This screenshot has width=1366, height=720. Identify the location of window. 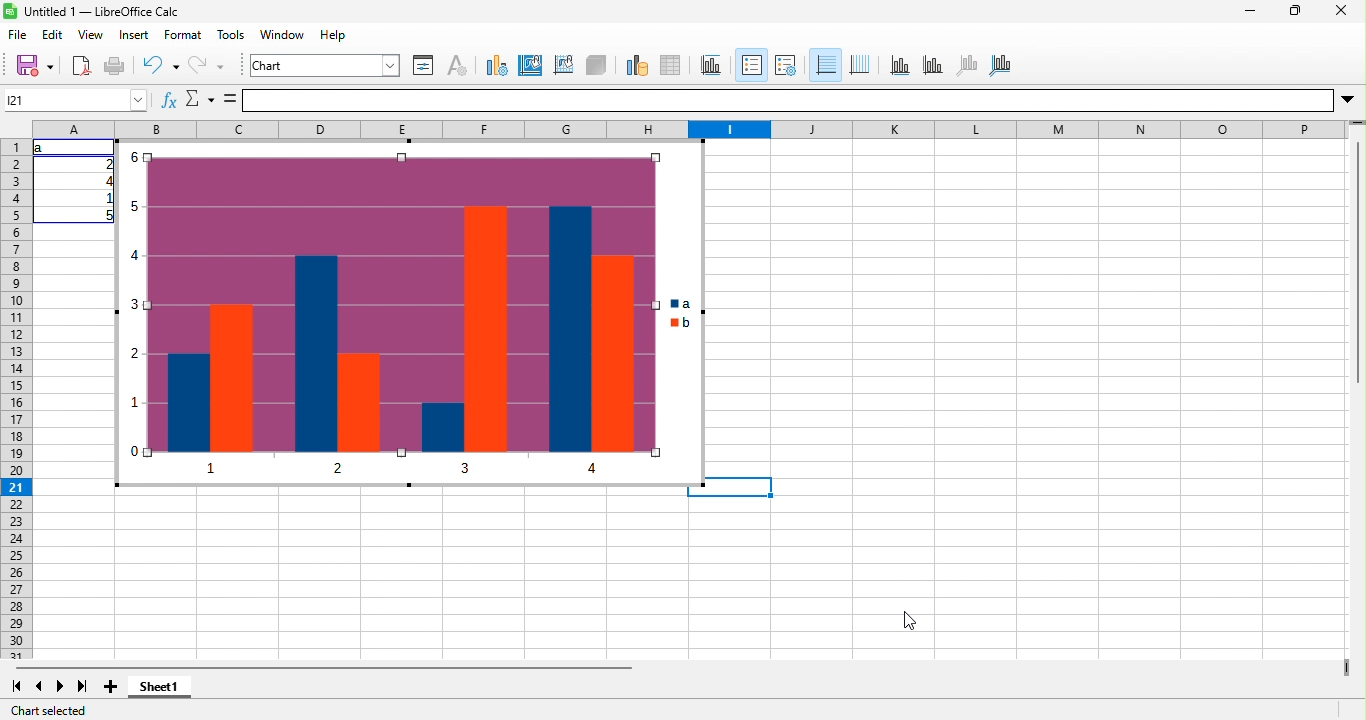
(283, 34).